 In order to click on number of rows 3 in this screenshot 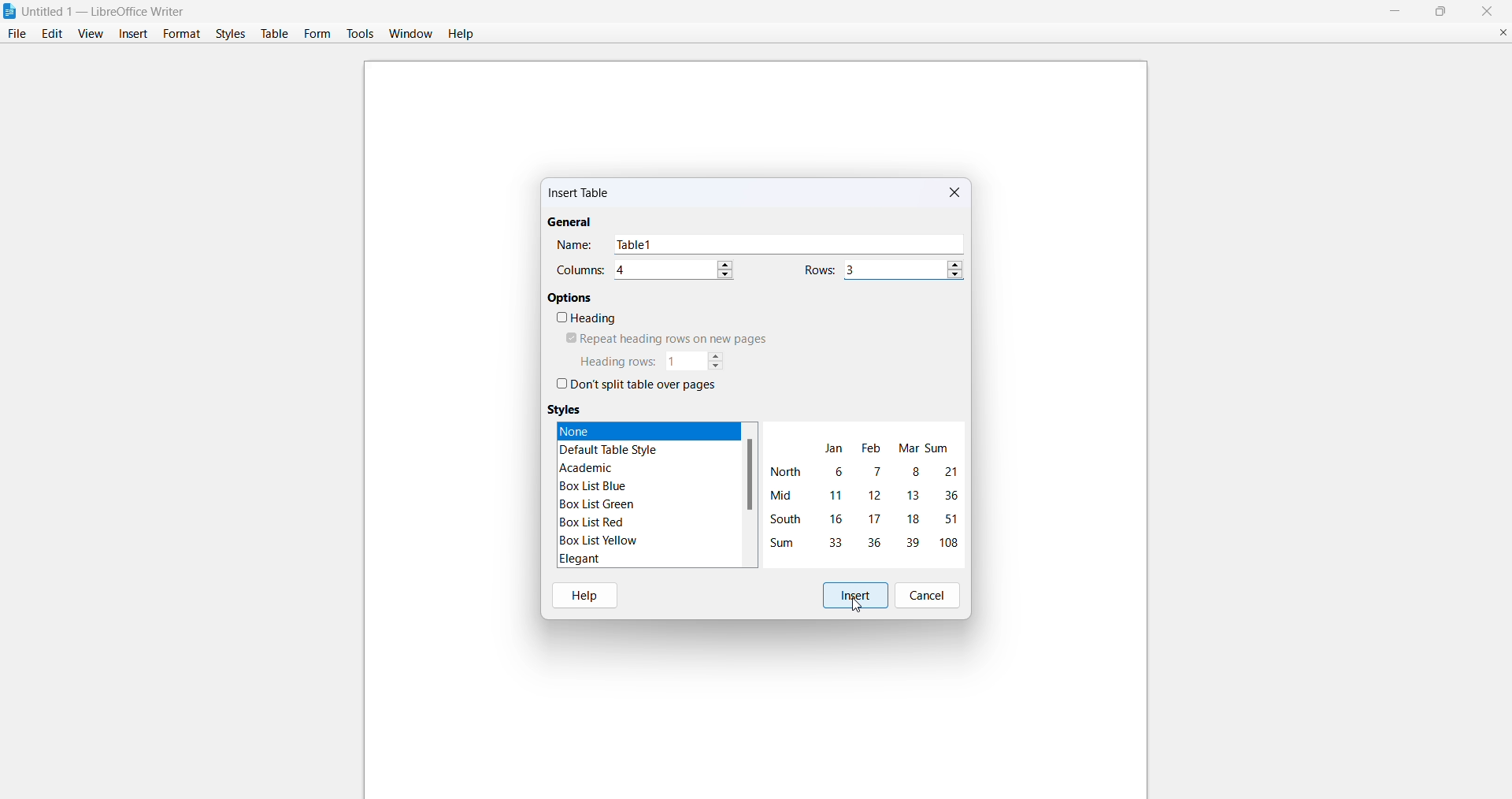, I will do `click(893, 269)`.